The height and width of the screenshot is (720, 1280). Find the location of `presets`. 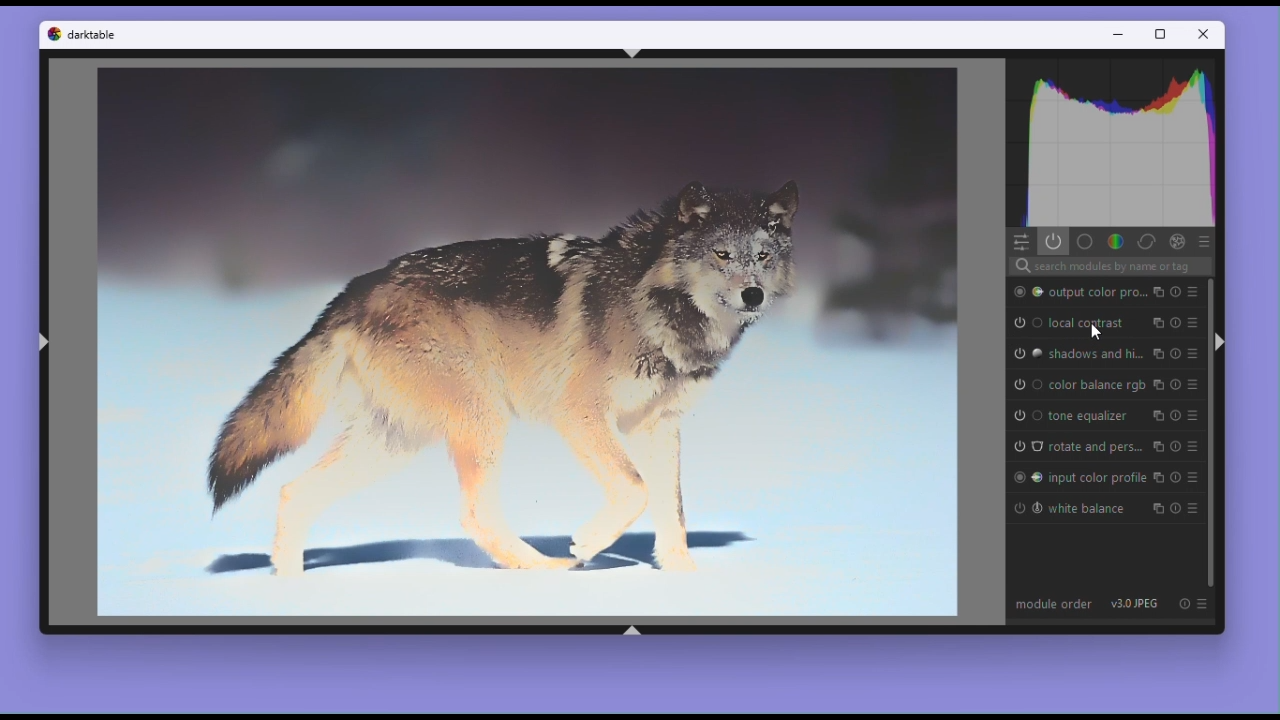

presets is located at coordinates (1195, 323).